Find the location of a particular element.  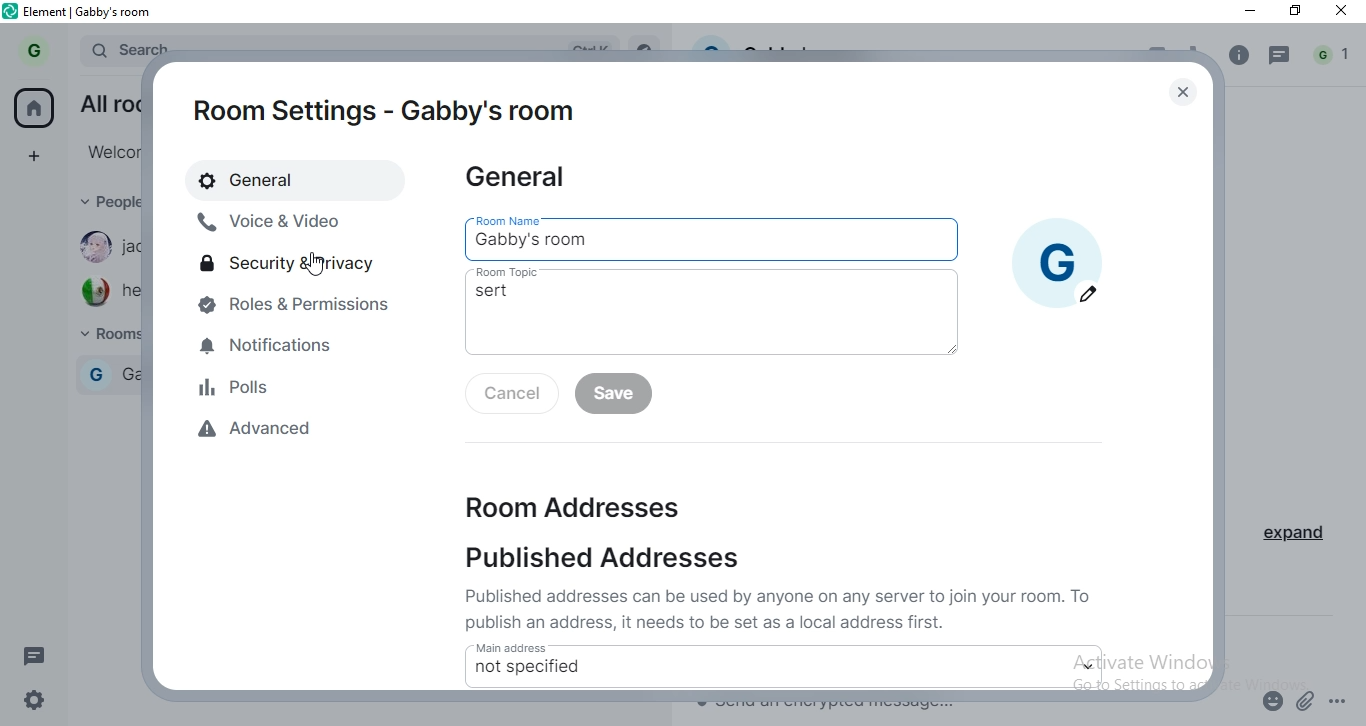

sert is located at coordinates (498, 296).